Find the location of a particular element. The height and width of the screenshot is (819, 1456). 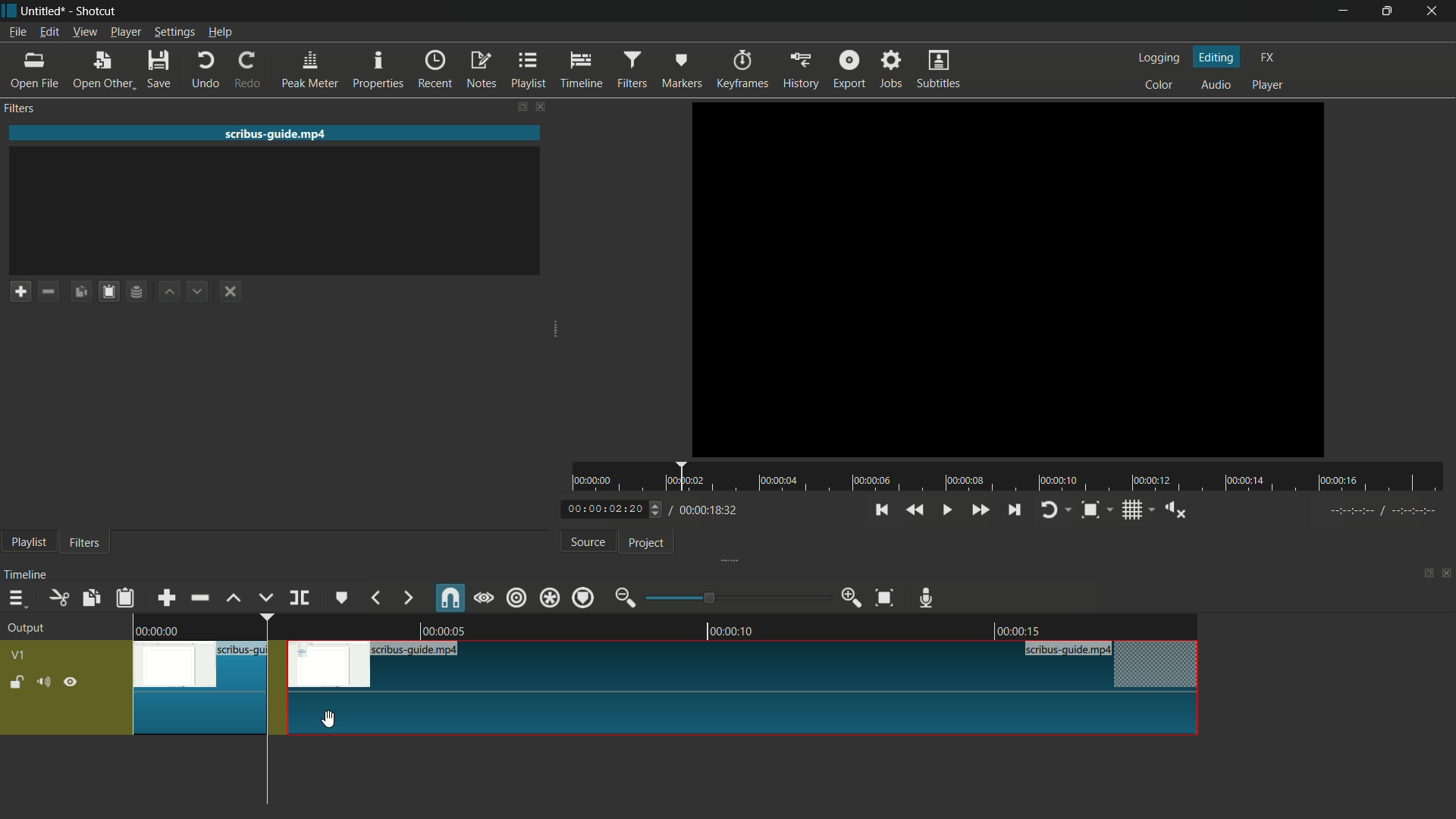

imported file is located at coordinates (1009, 279).